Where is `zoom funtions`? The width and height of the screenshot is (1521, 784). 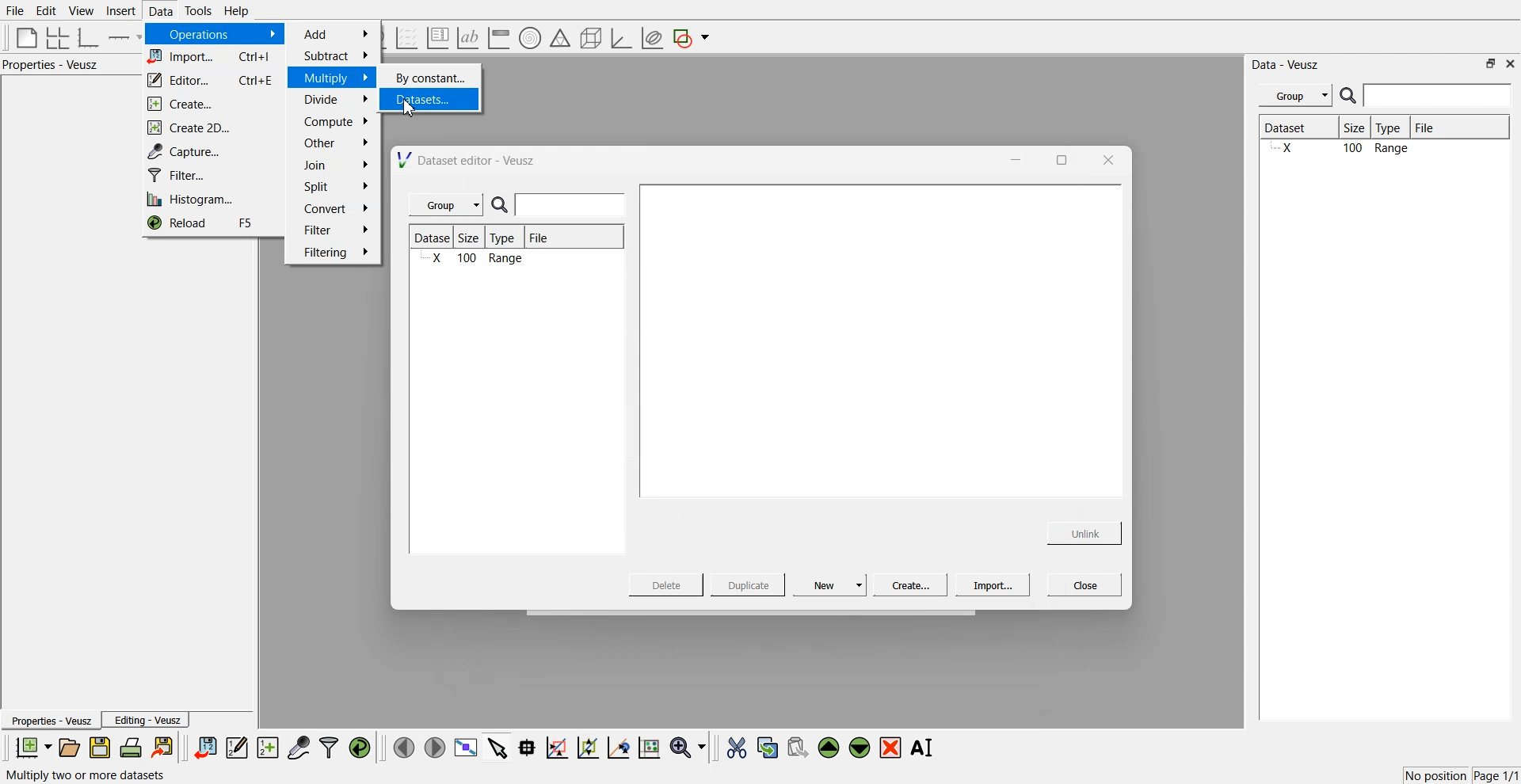 zoom funtions is located at coordinates (688, 748).